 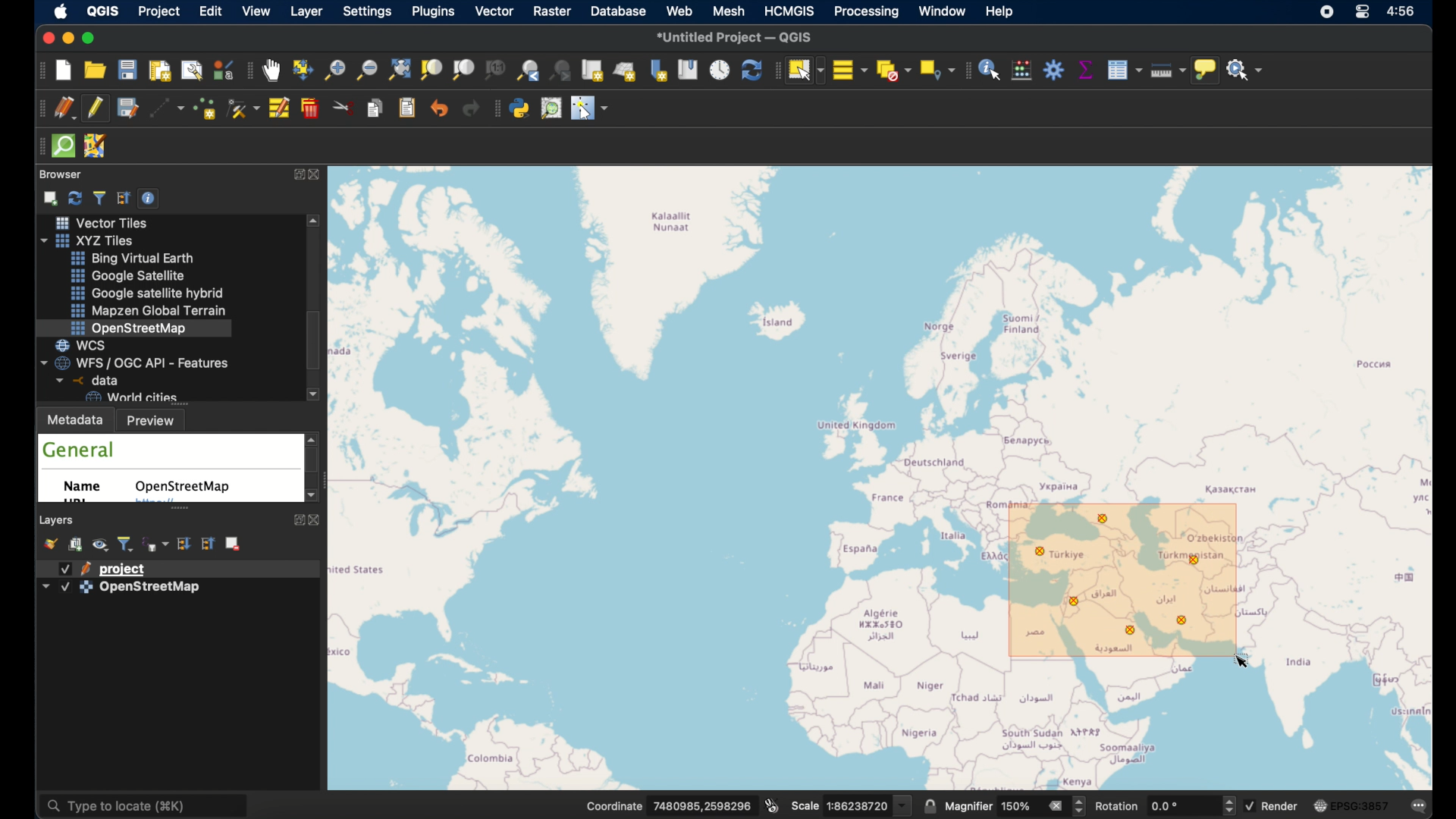 I want to click on close, so click(x=320, y=174).